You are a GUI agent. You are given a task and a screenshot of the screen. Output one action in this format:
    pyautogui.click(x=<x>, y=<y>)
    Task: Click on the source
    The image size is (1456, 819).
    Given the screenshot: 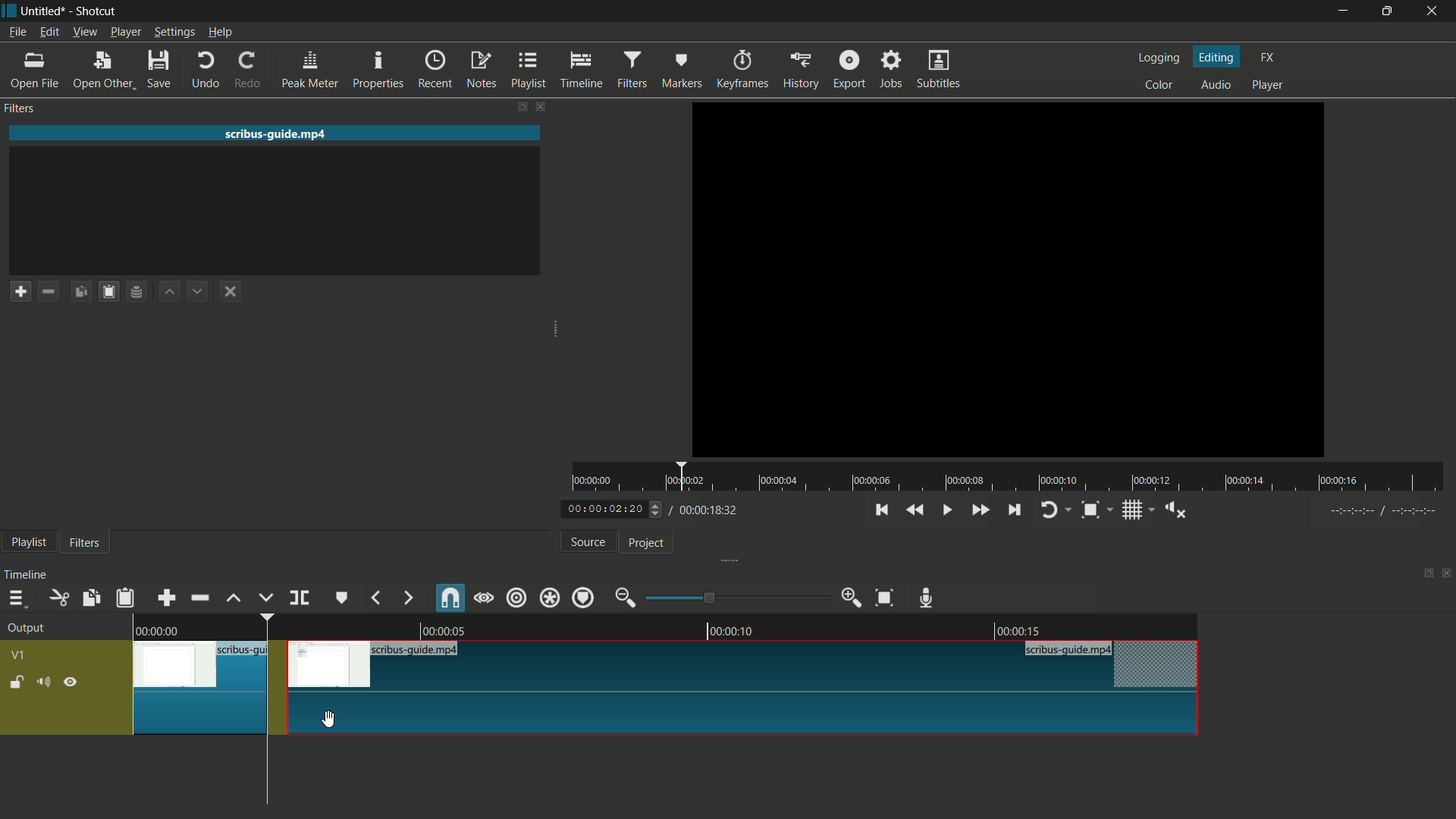 What is the action you would take?
    pyautogui.click(x=588, y=542)
    